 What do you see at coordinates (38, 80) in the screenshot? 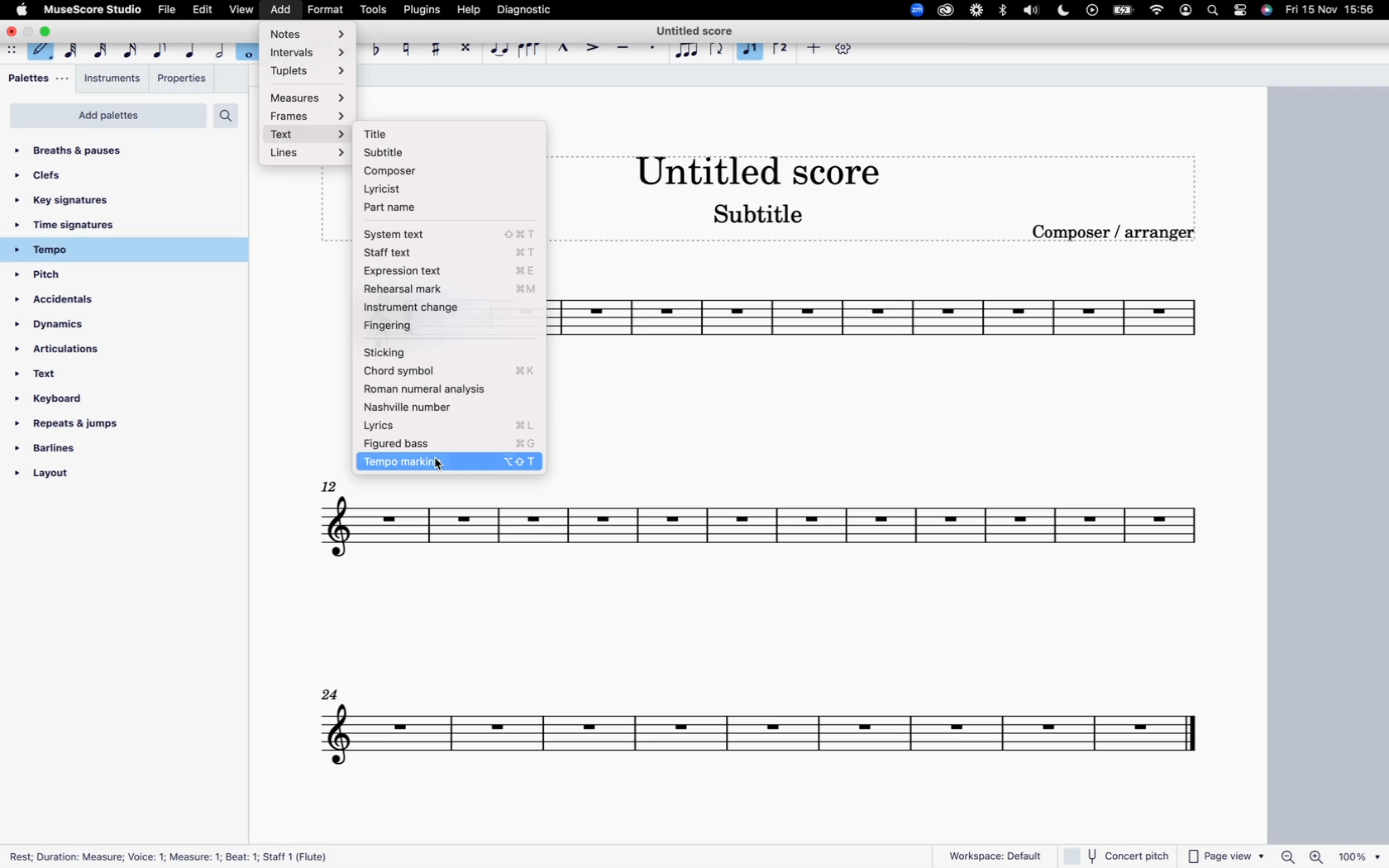
I see `palettes` at bounding box center [38, 80].